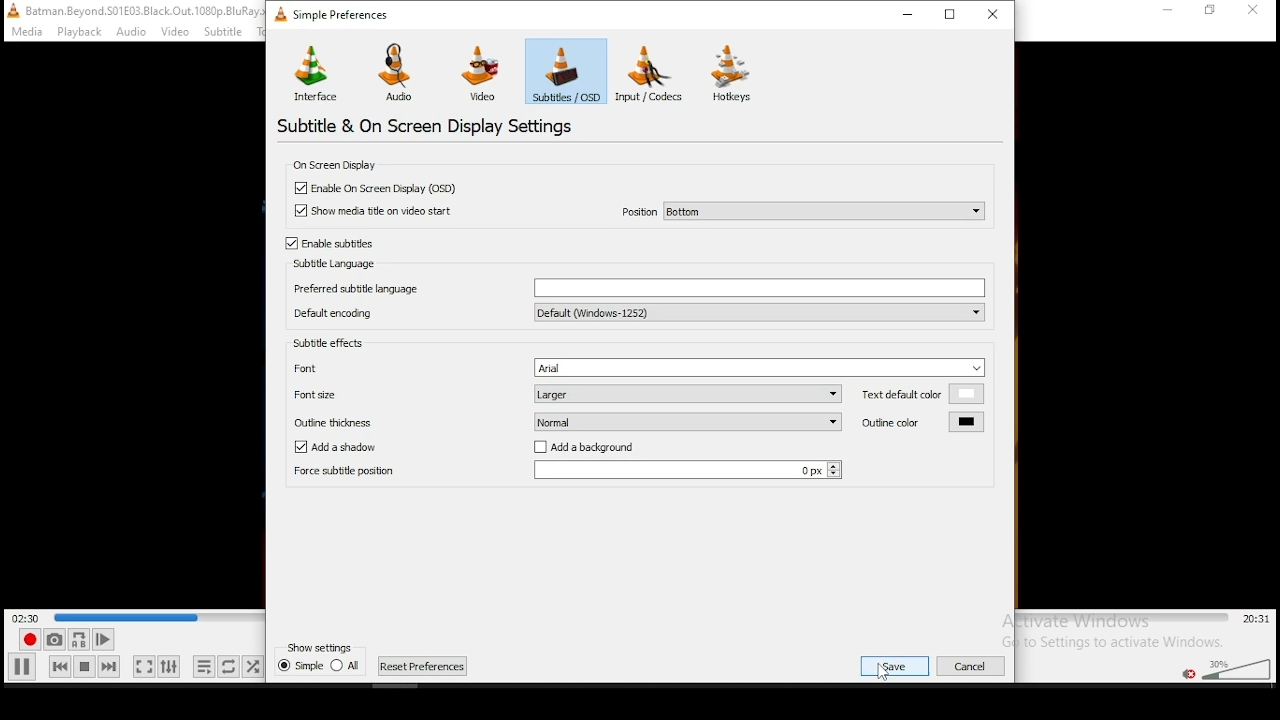  I want to click on checkbox: add a shadow, so click(346, 448).